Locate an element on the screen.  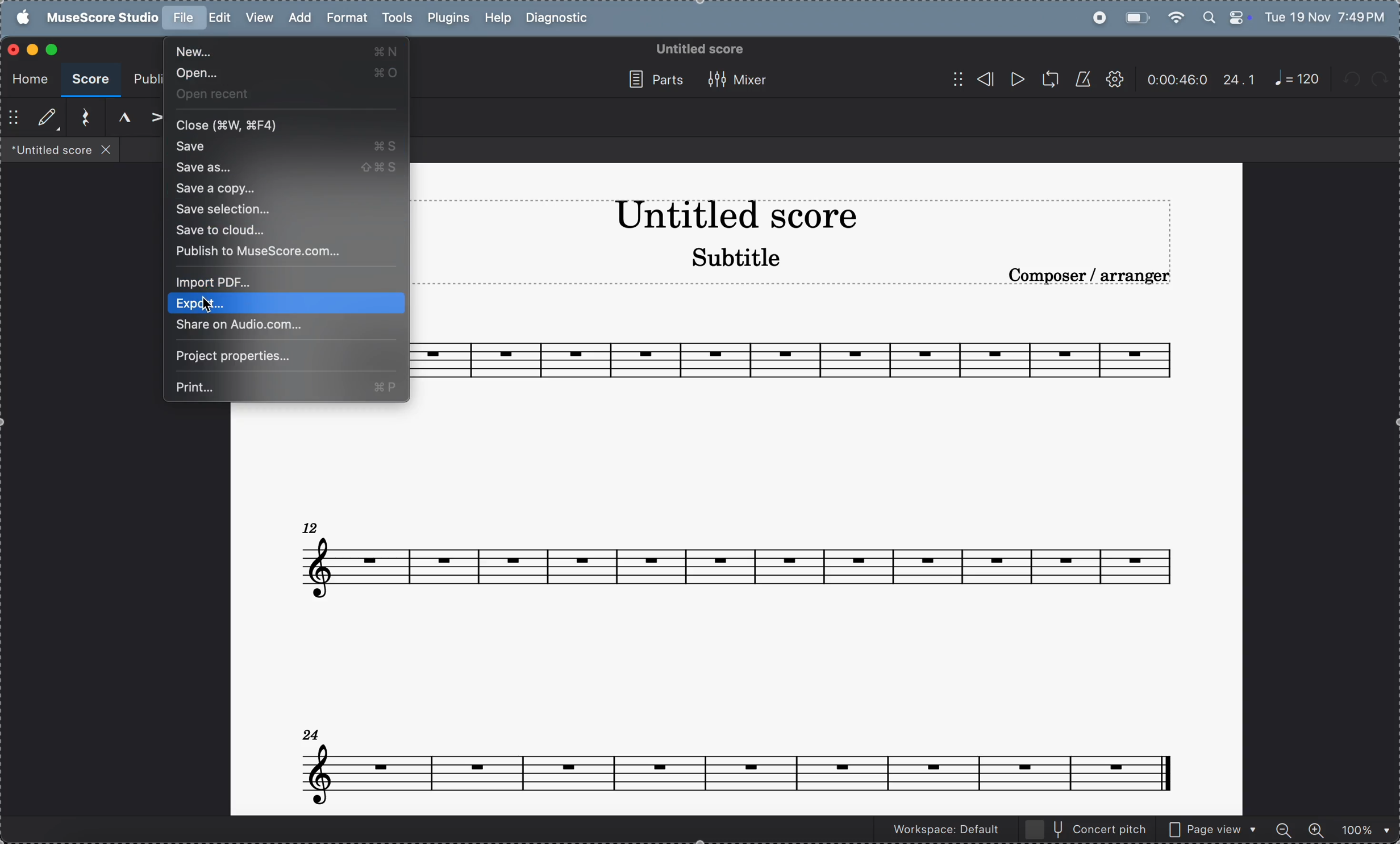
marcato is located at coordinates (119, 118).